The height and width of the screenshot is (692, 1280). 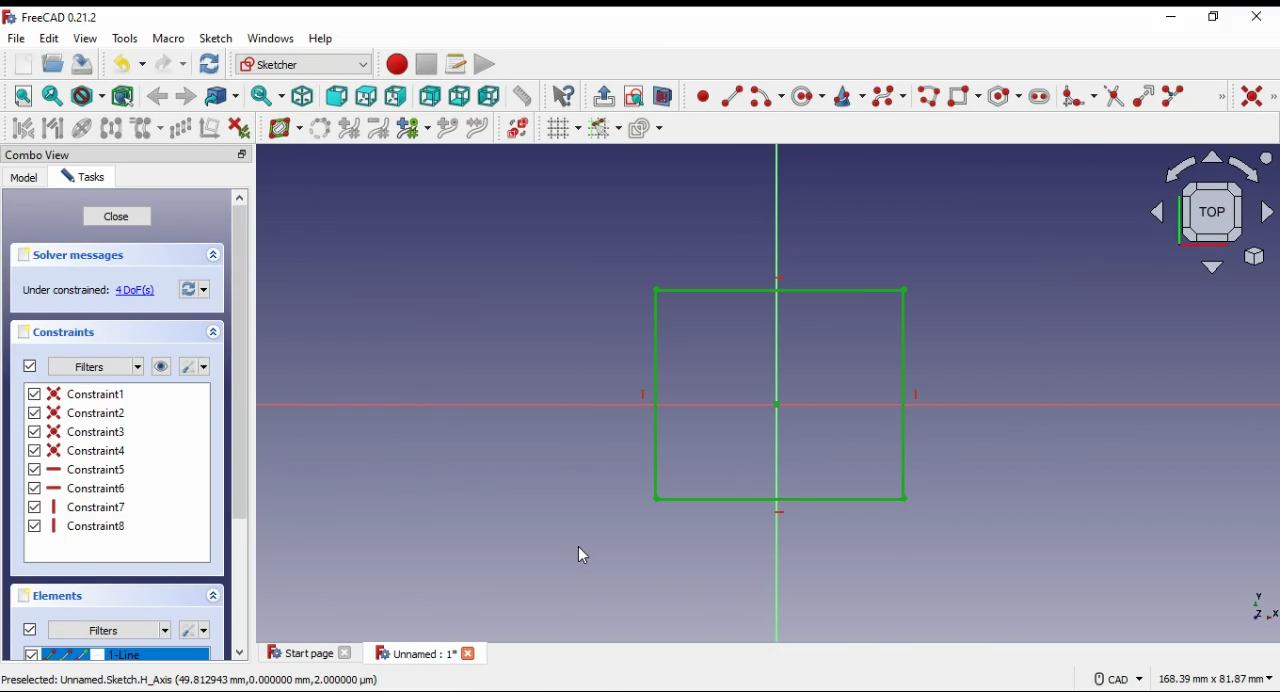 What do you see at coordinates (286, 127) in the screenshot?
I see `shiw/hide Bspline information layer` at bounding box center [286, 127].